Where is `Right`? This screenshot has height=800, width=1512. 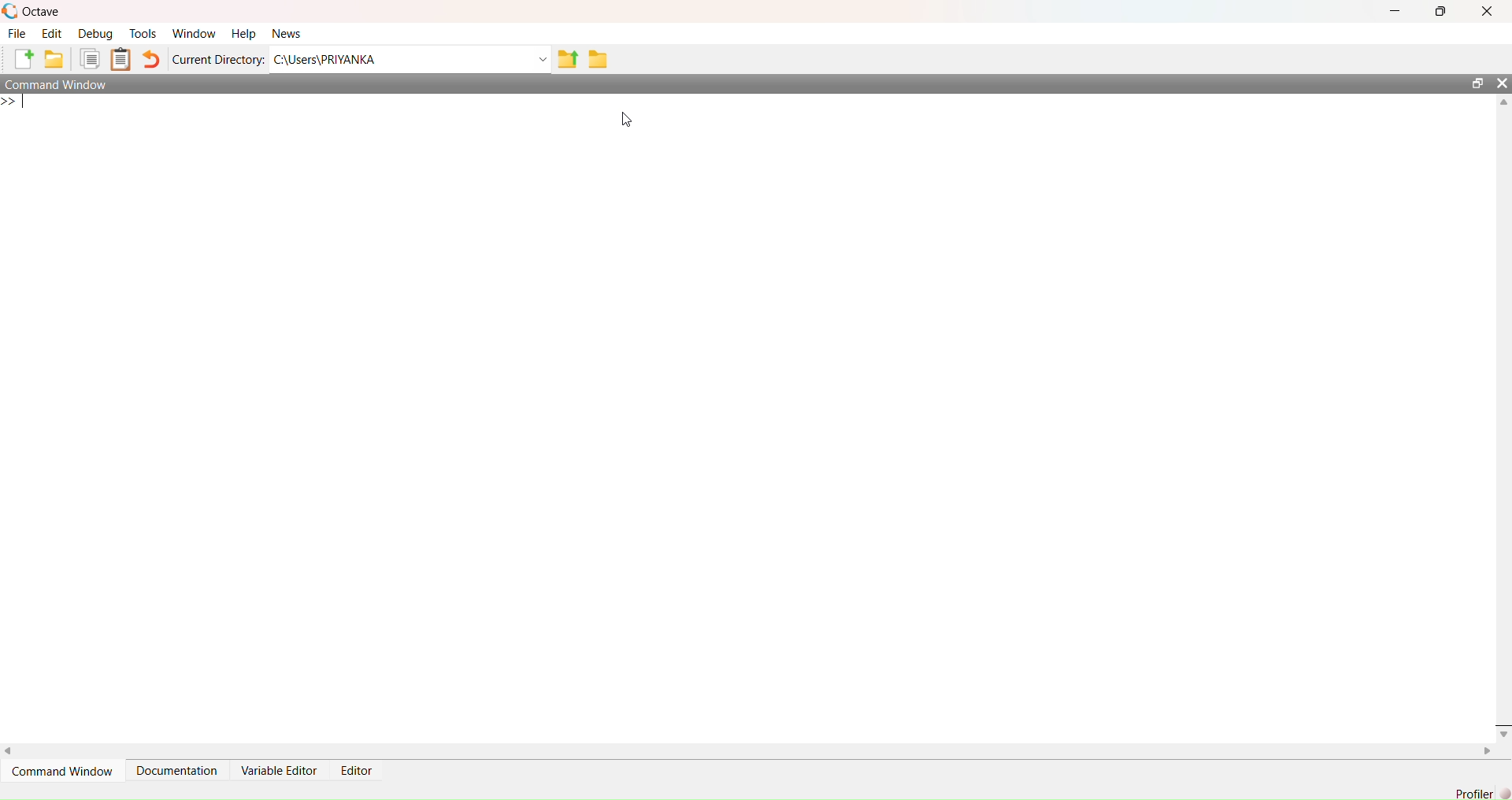
Right is located at coordinates (1488, 753).